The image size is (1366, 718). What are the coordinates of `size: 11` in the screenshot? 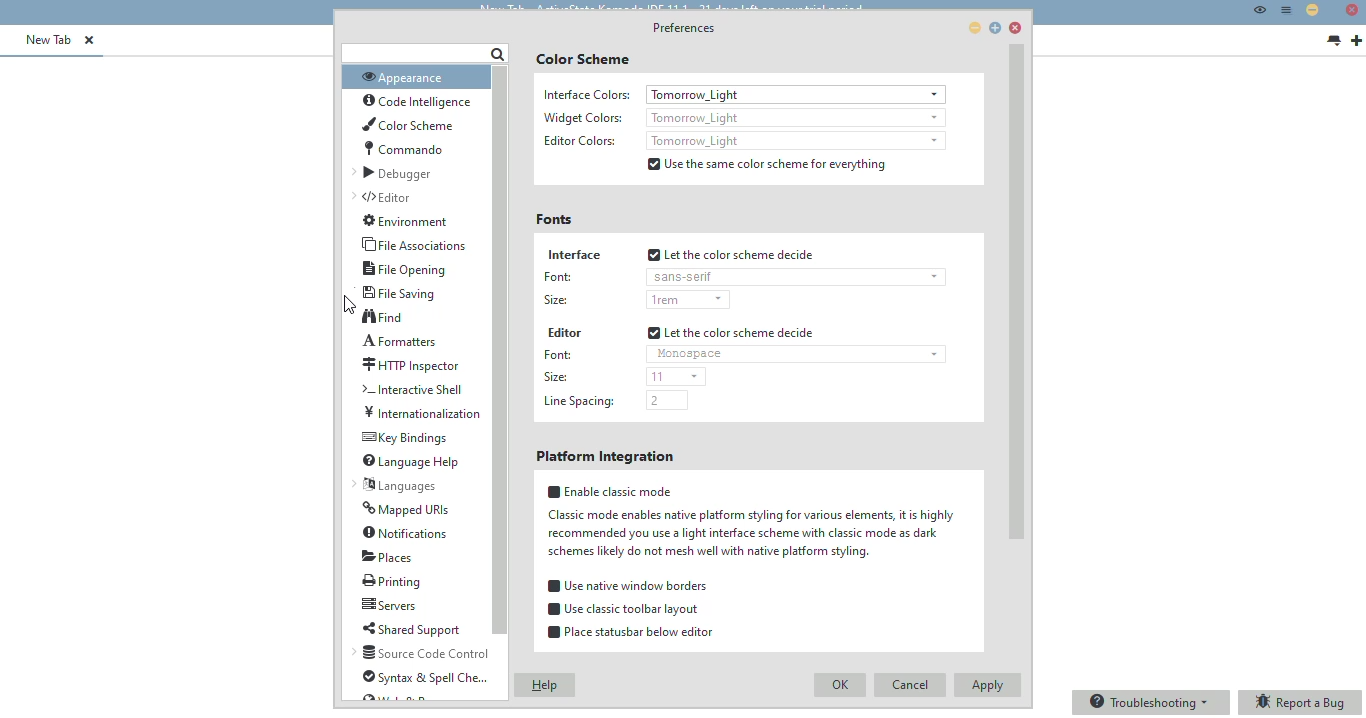 It's located at (621, 375).